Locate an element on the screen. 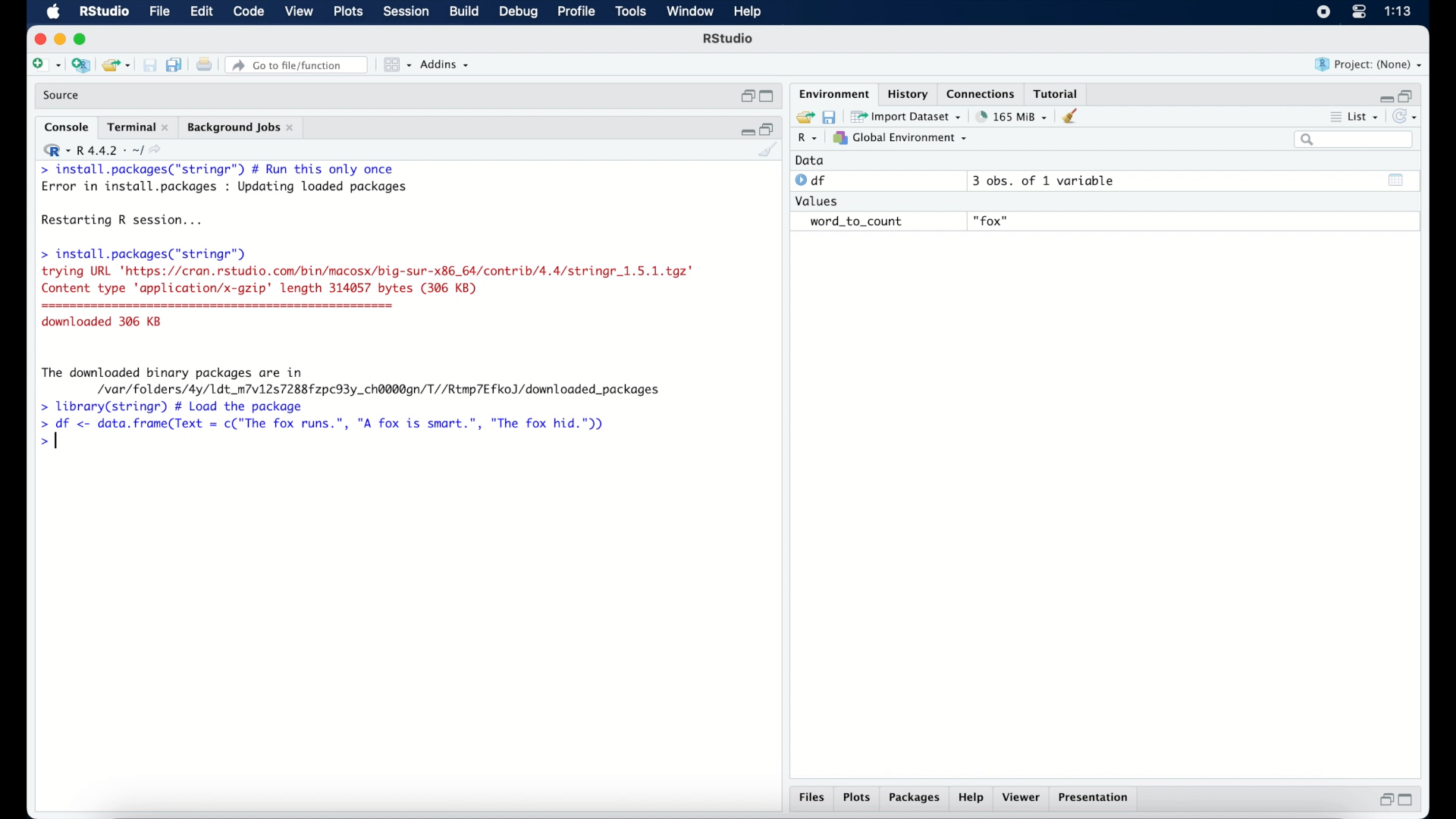 The width and height of the screenshot is (1456, 819). create new file is located at coordinates (45, 66).